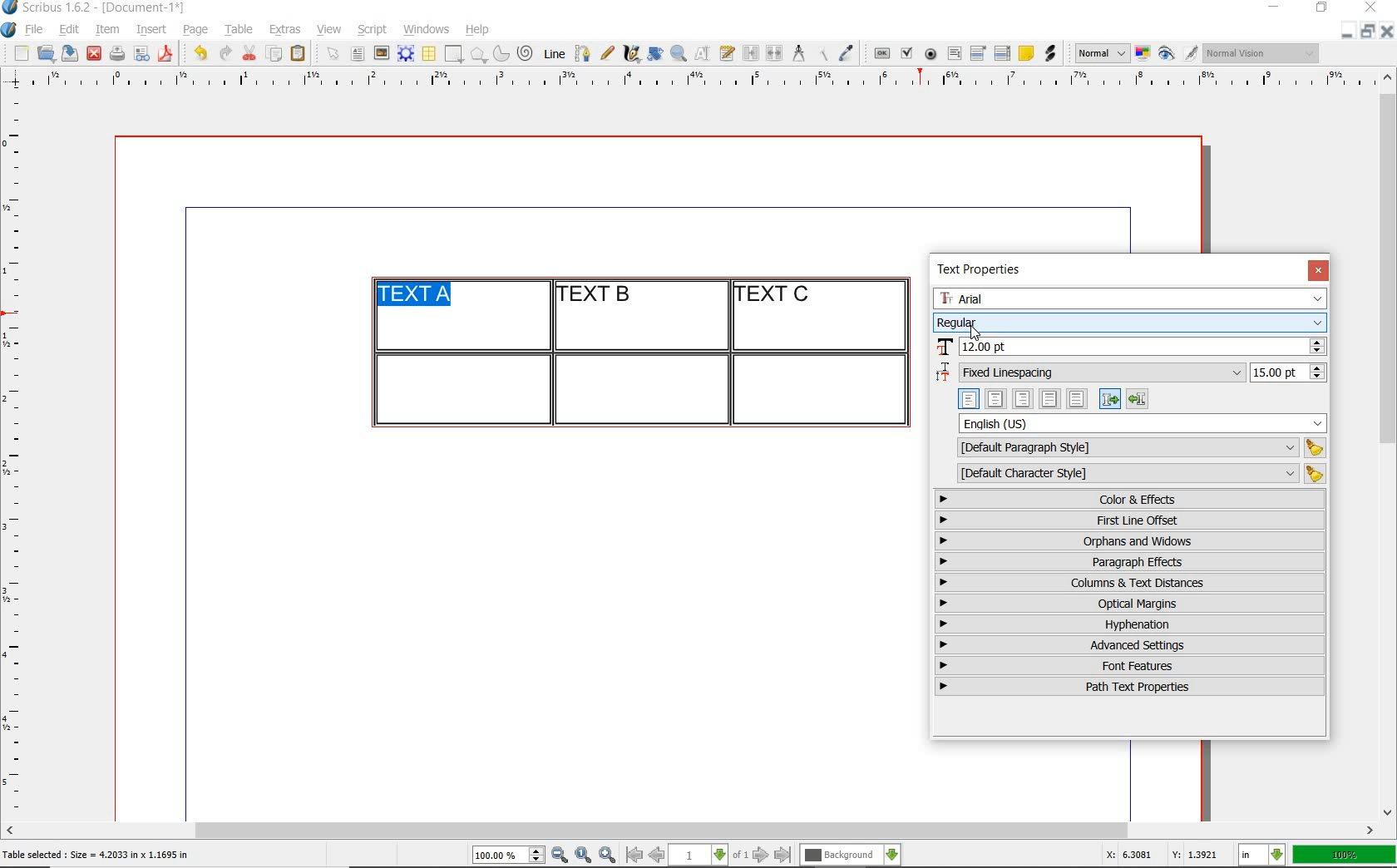 Image resolution: width=1397 pixels, height=868 pixels. What do you see at coordinates (1322, 8) in the screenshot?
I see `restore` at bounding box center [1322, 8].